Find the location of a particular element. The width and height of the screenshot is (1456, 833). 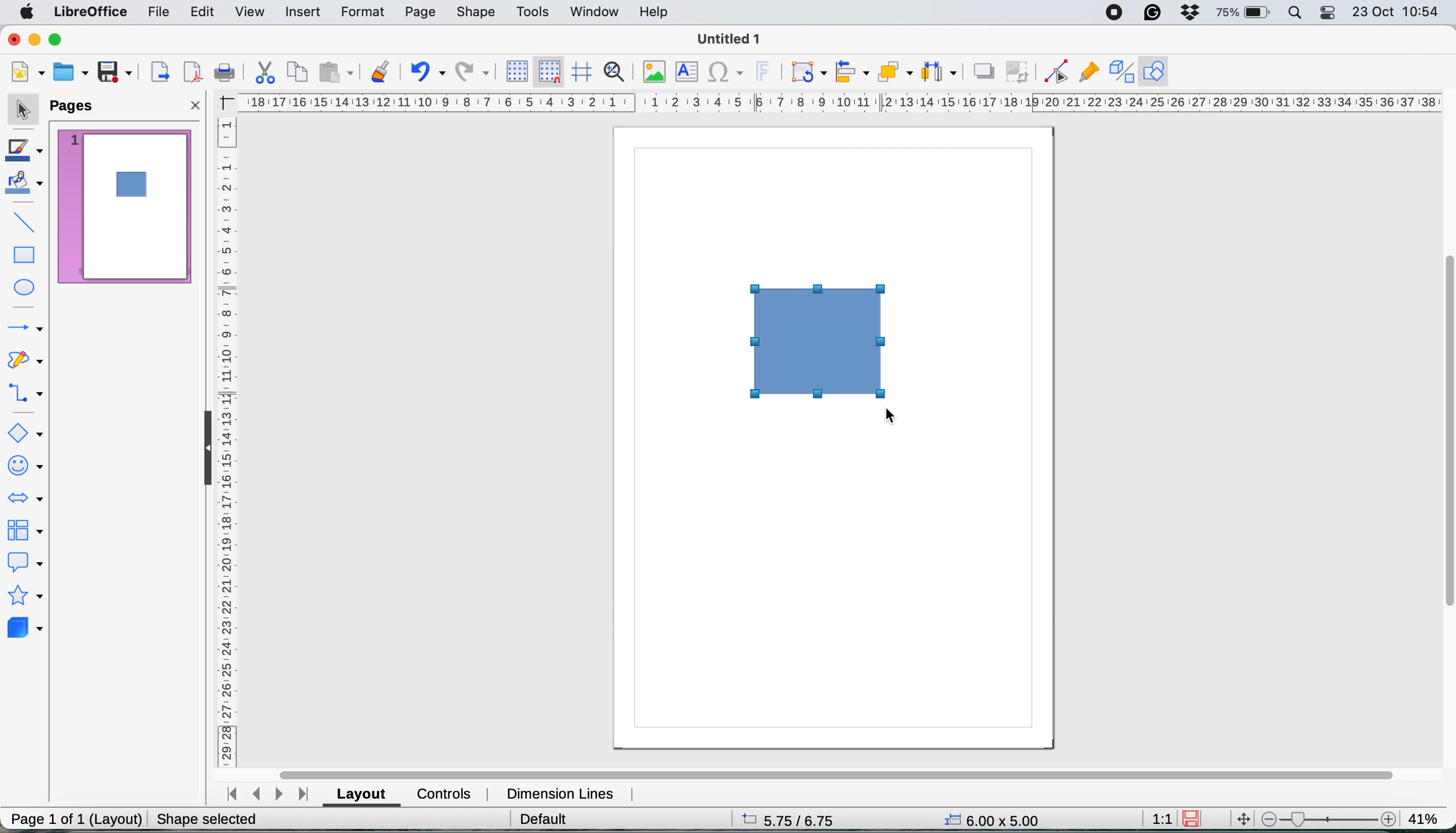

finished rectangle is located at coordinates (820, 341).